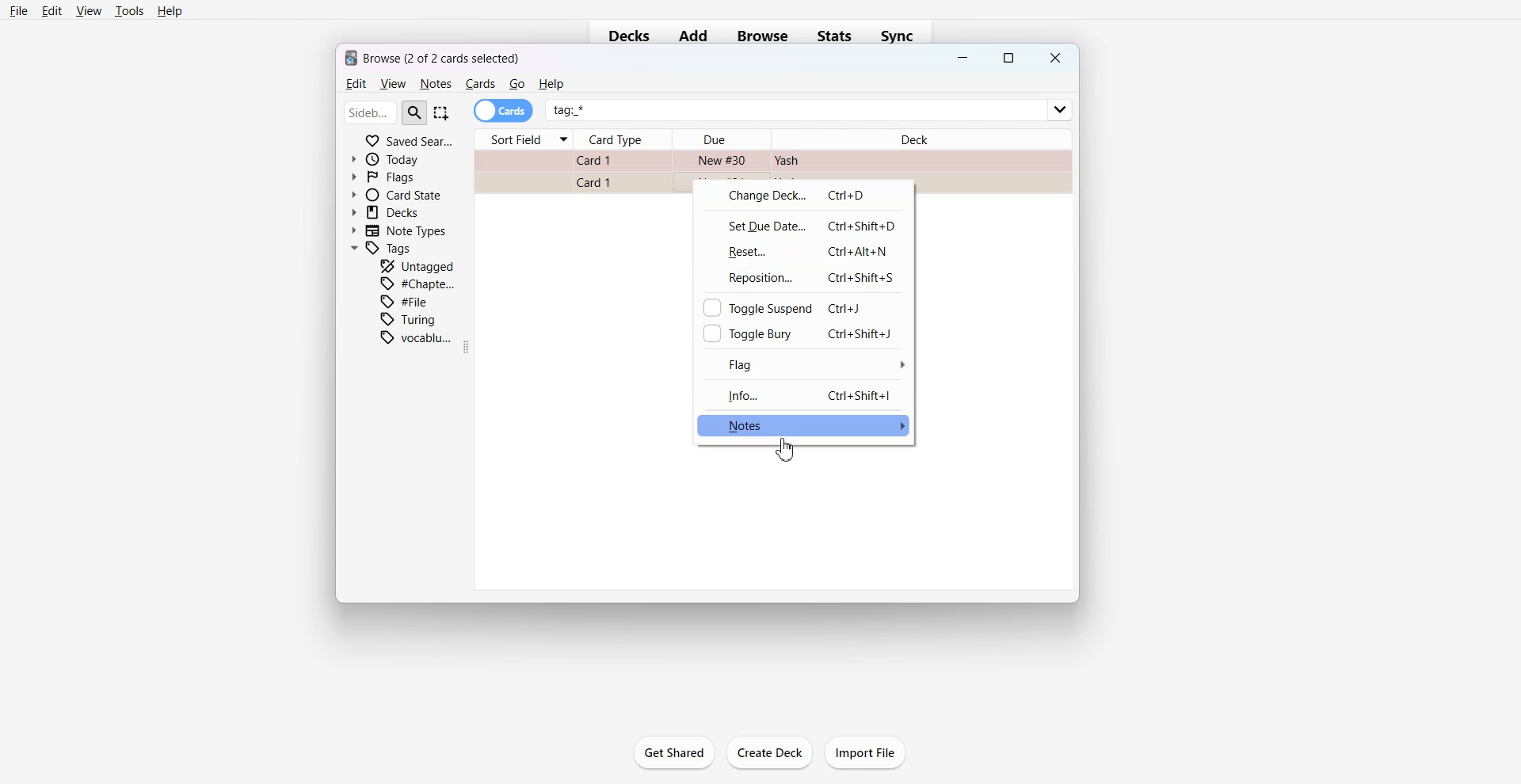  What do you see at coordinates (419, 283) in the screenshot?
I see `Chapter` at bounding box center [419, 283].